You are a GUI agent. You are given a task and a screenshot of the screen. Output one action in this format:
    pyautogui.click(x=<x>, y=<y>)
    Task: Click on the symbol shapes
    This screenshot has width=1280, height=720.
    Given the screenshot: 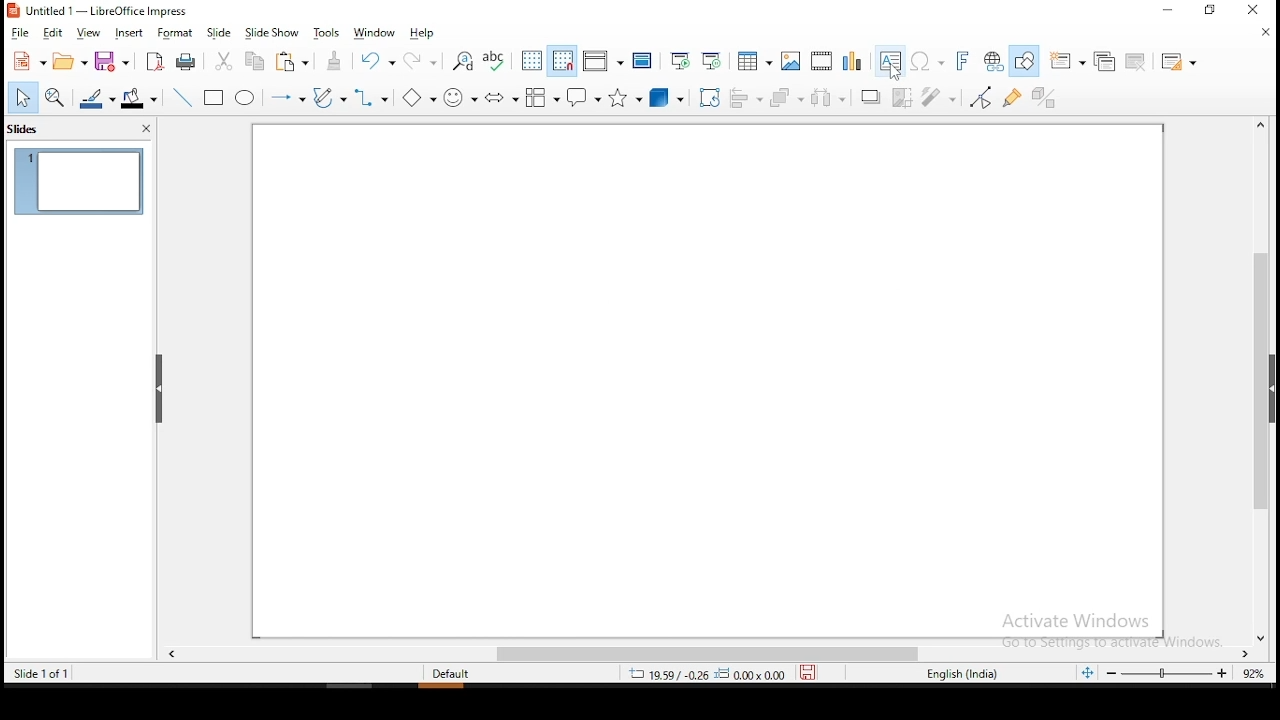 What is the action you would take?
    pyautogui.click(x=460, y=96)
    